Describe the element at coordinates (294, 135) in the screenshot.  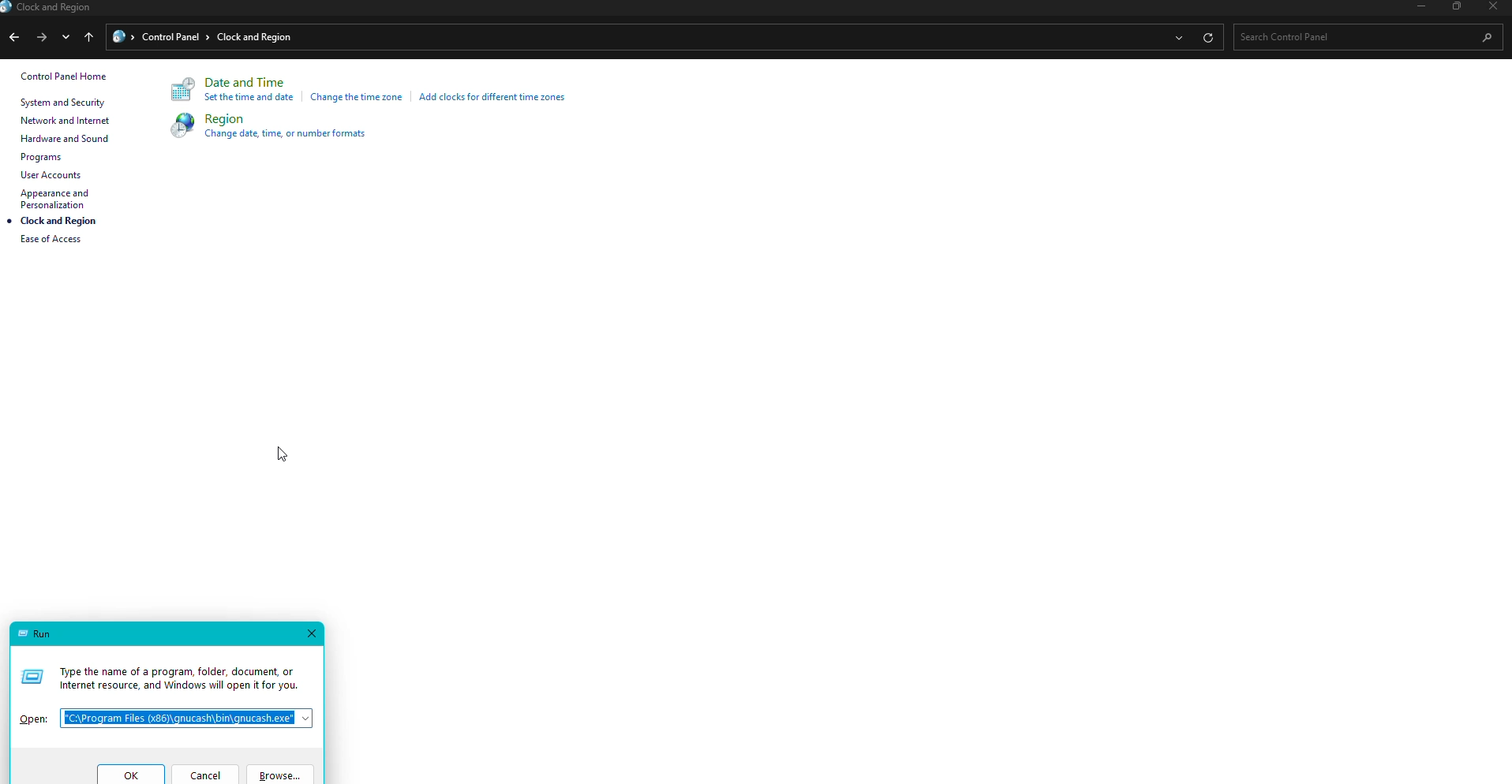
I see `Change date, time` at that location.